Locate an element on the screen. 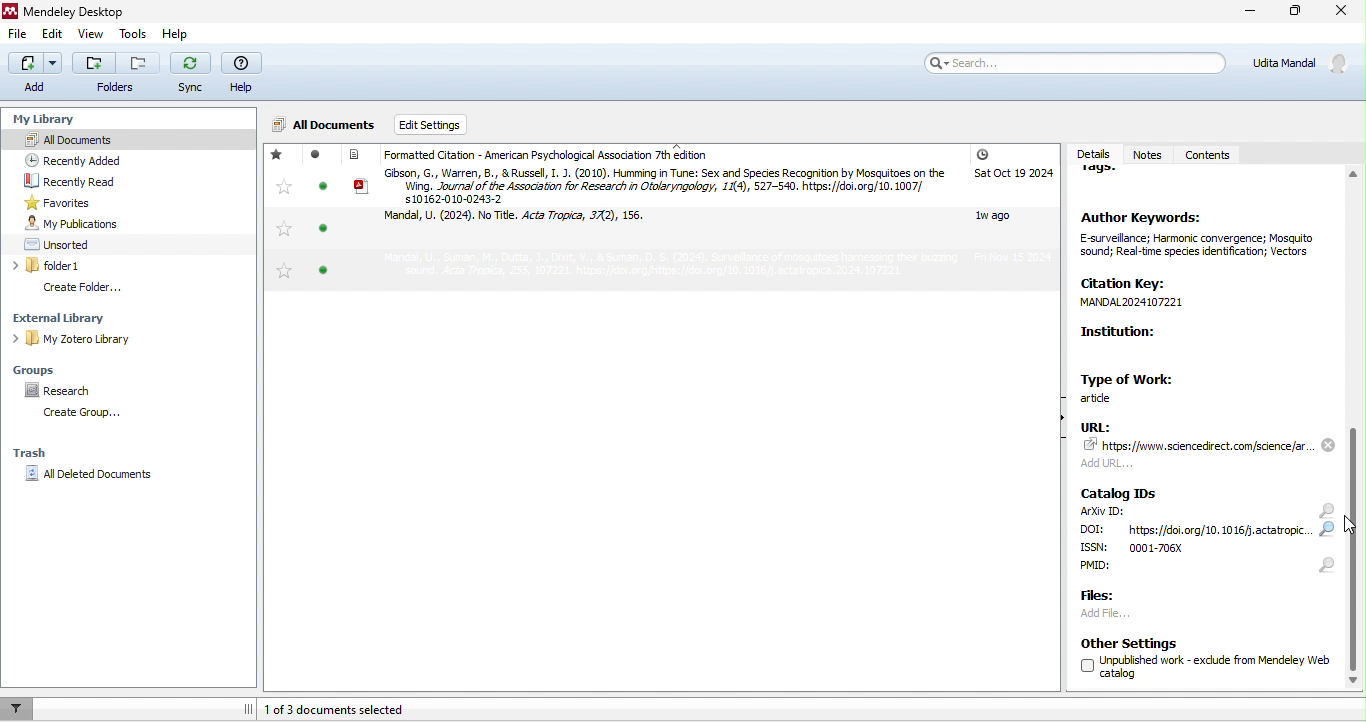  slider moved is located at coordinates (1354, 541).